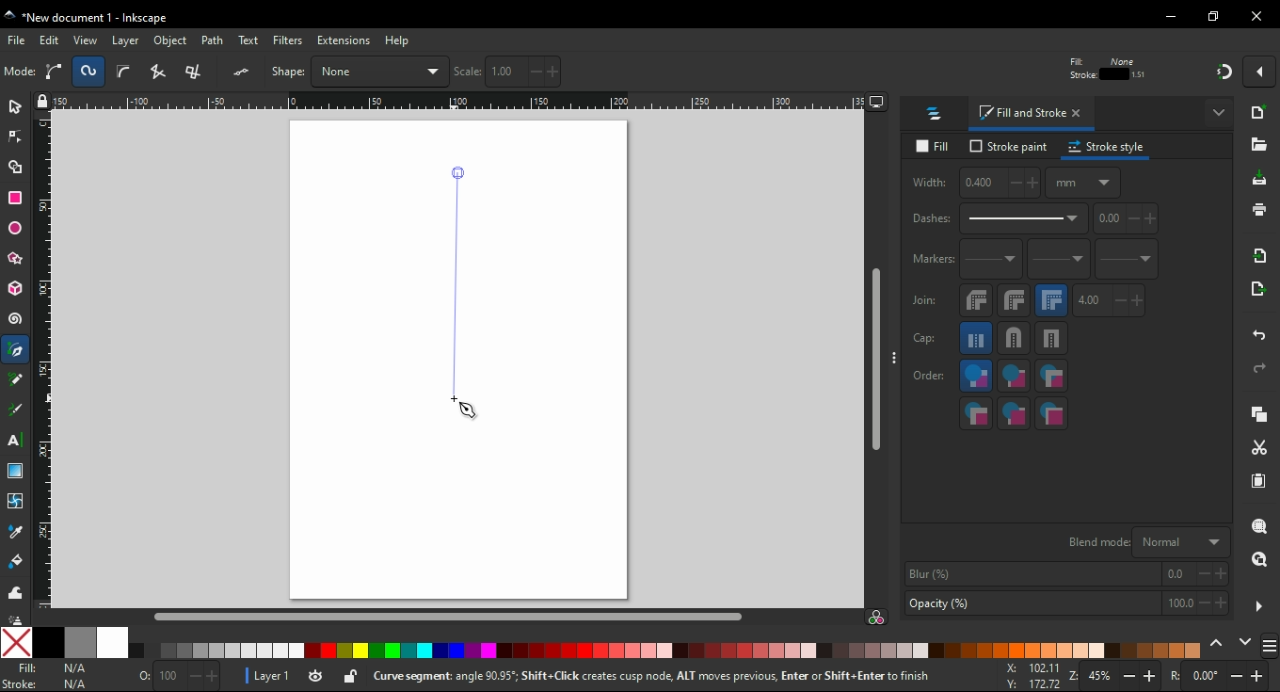  What do you see at coordinates (1258, 368) in the screenshot?
I see `redo` at bounding box center [1258, 368].